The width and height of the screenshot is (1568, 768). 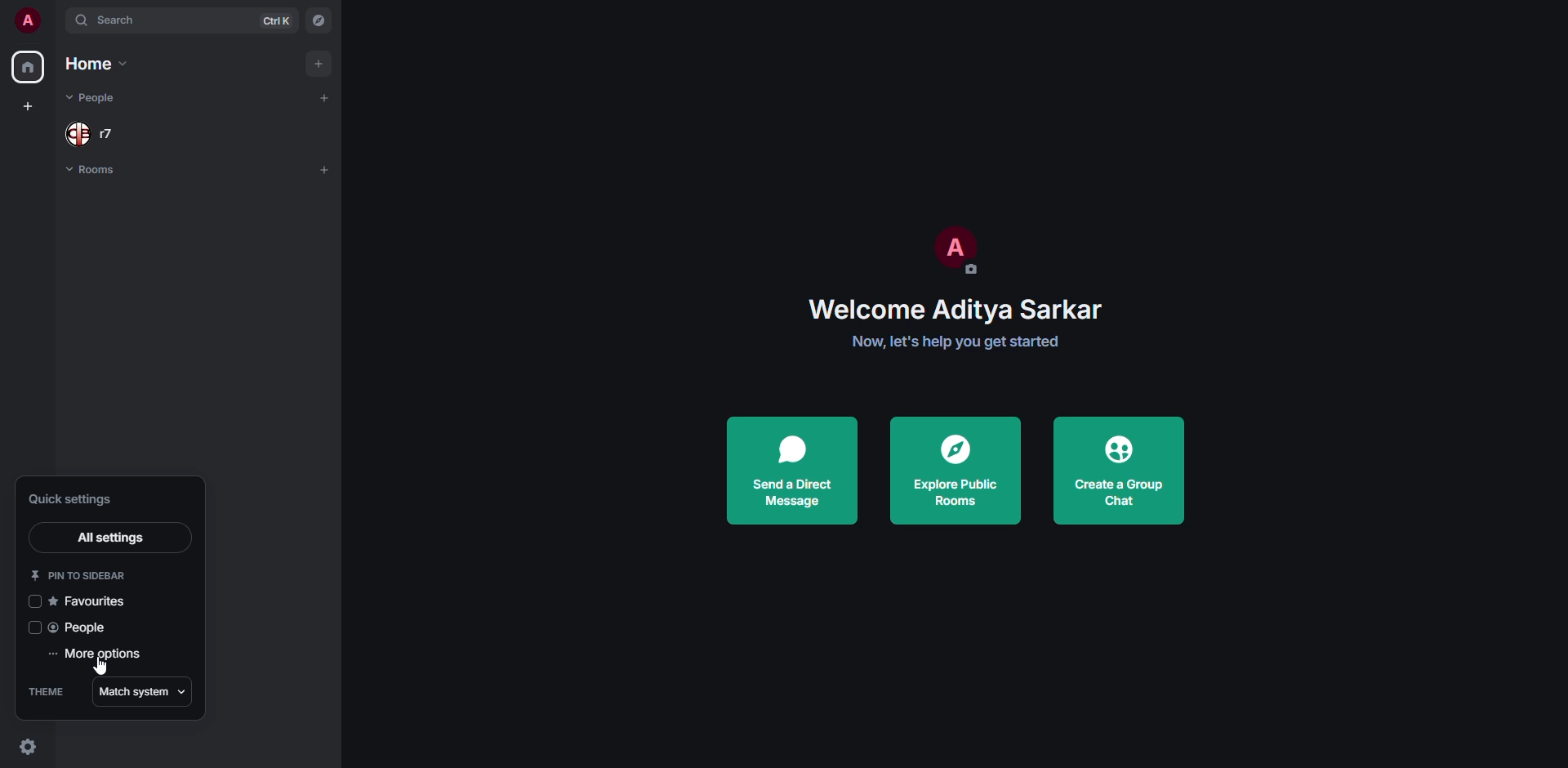 What do you see at coordinates (956, 471) in the screenshot?
I see `explore public rooms` at bounding box center [956, 471].